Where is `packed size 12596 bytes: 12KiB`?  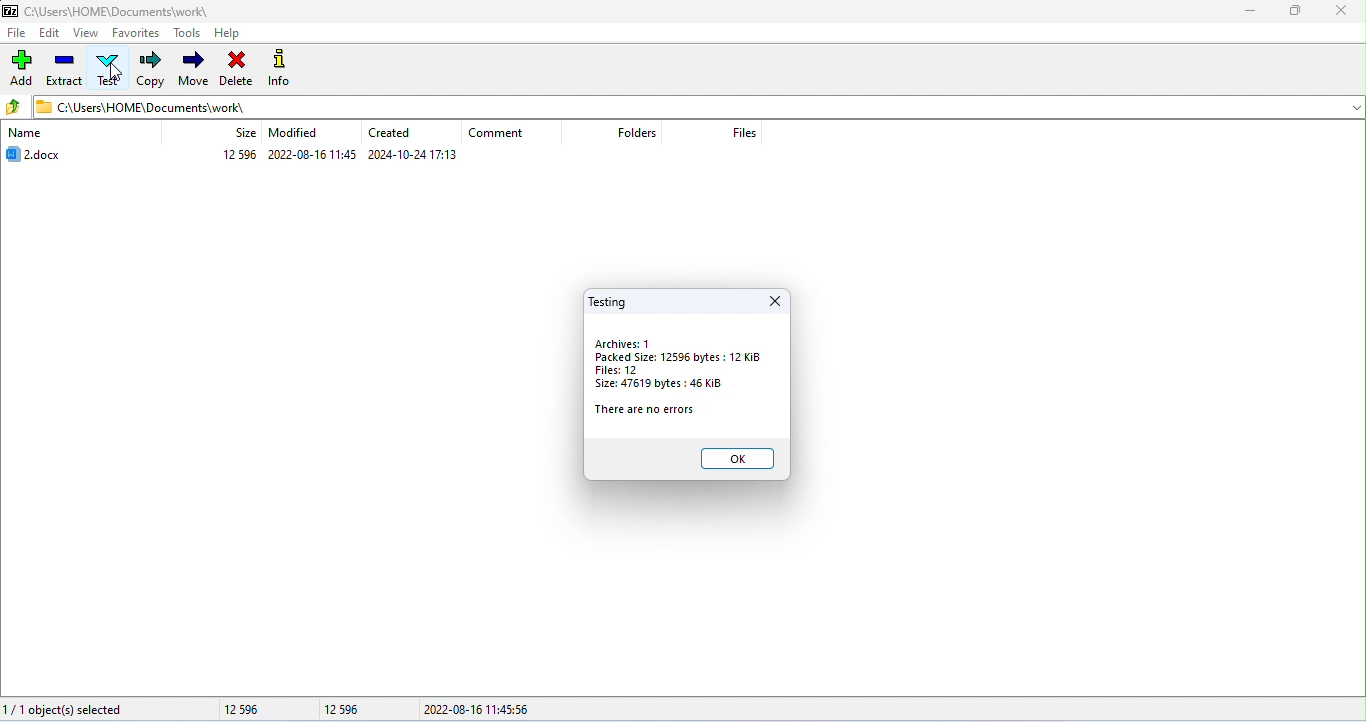
packed size 12596 bytes: 12KiB is located at coordinates (681, 357).